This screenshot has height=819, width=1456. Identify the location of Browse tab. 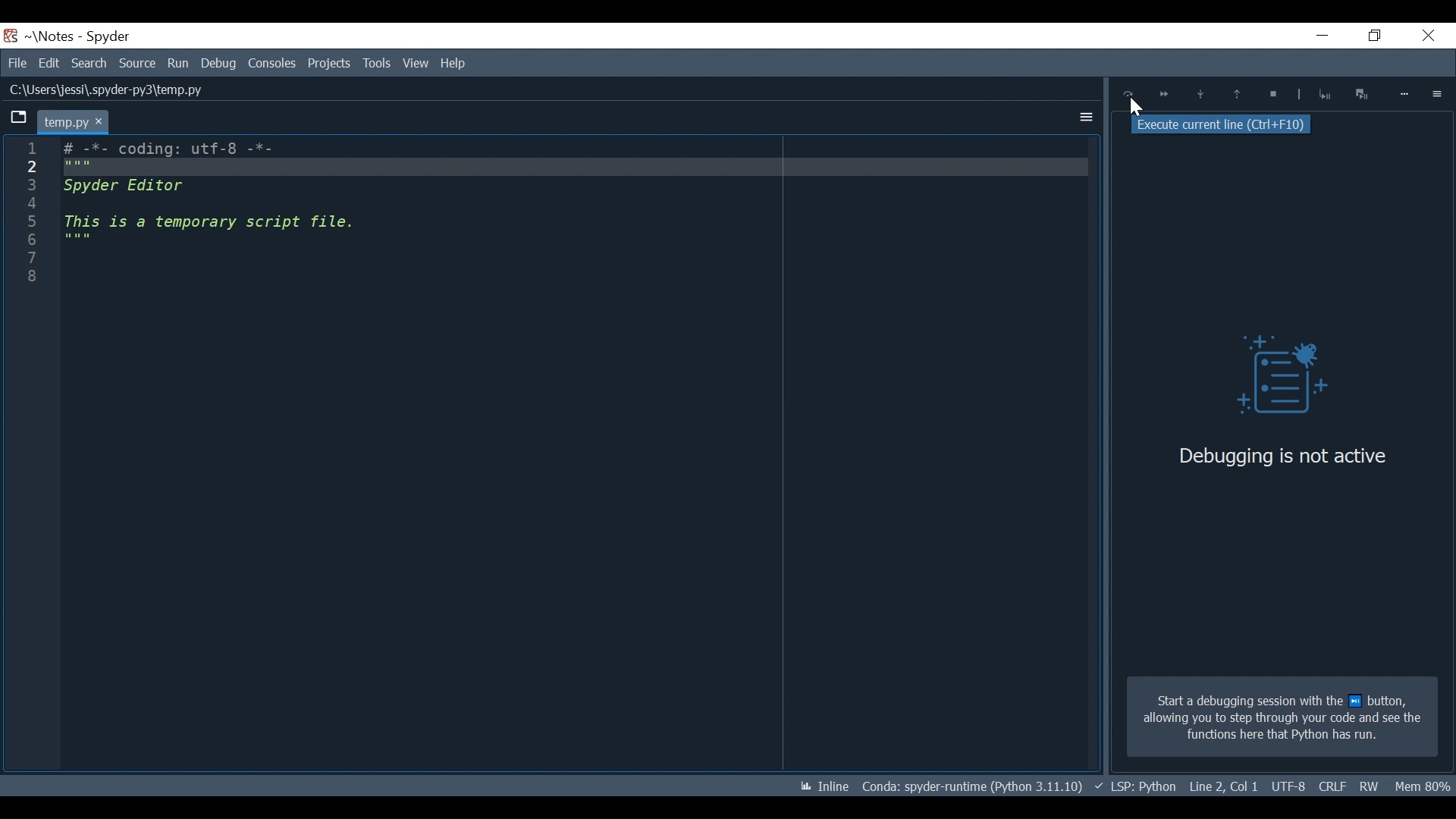
(18, 119).